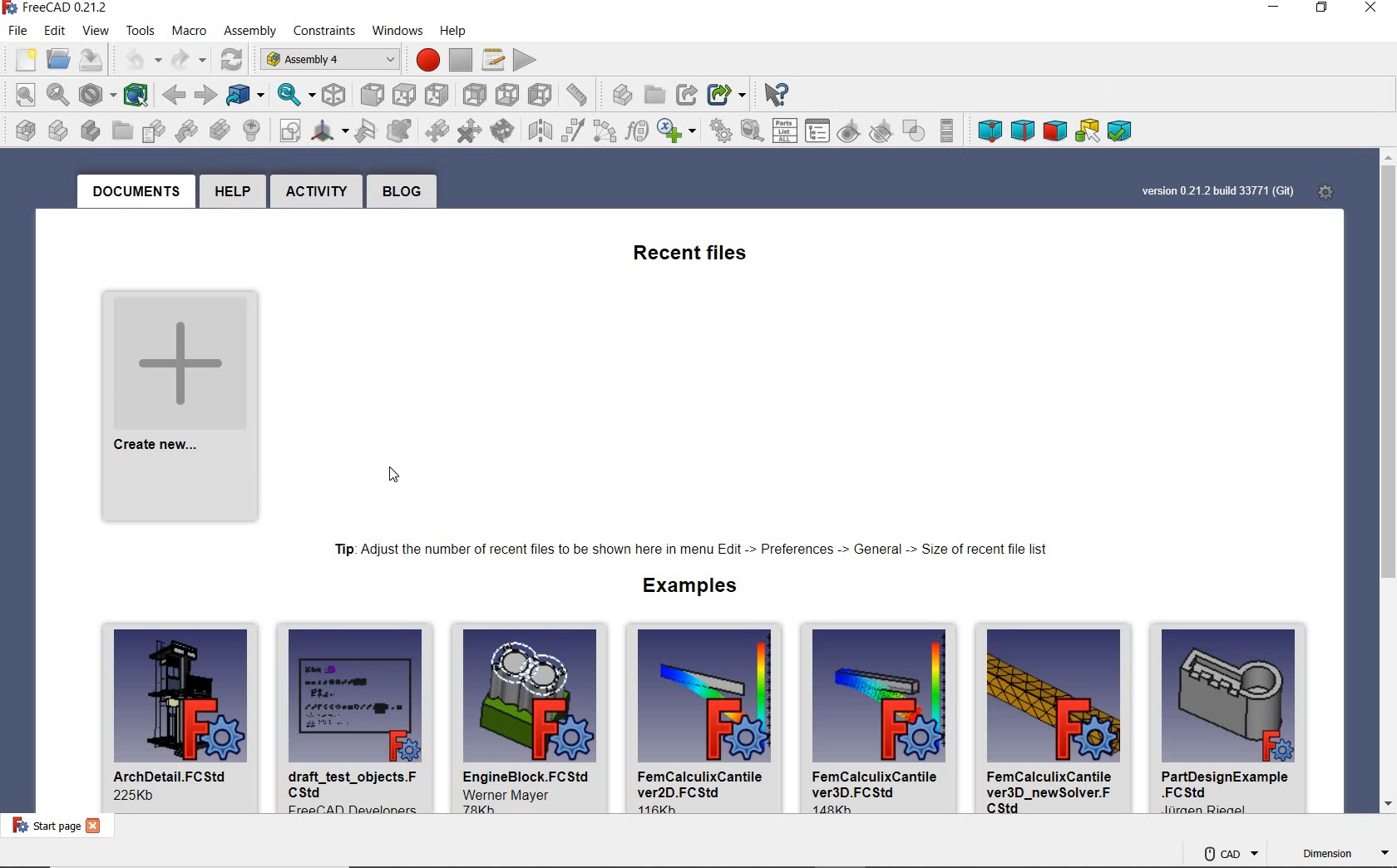 The height and width of the screenshot is (868, 1397). Describe the element at coordinates (24, 61) in the screenshot. I see `new` at that location.